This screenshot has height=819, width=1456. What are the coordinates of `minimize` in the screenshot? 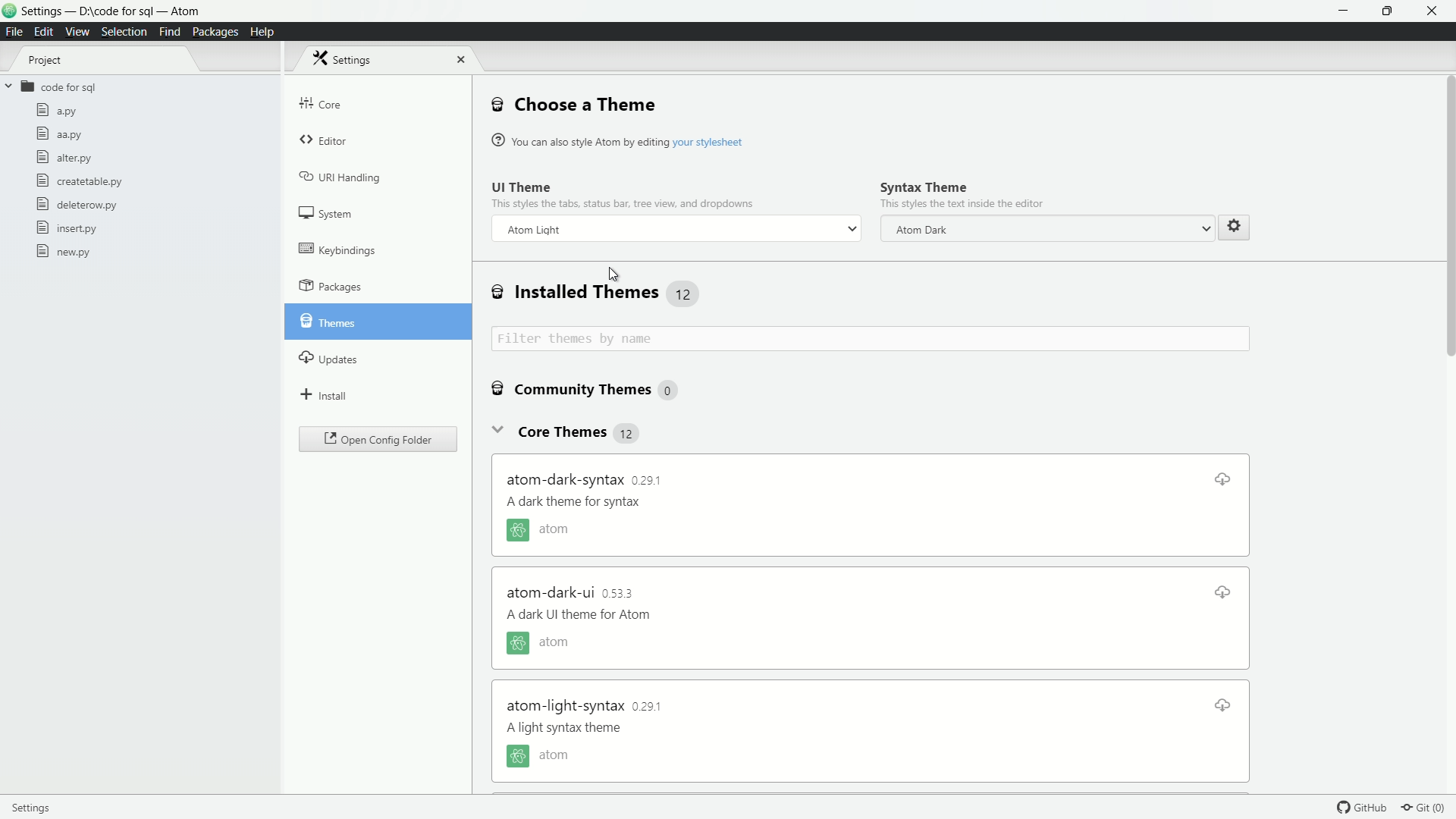 It's located at (1345, 11).